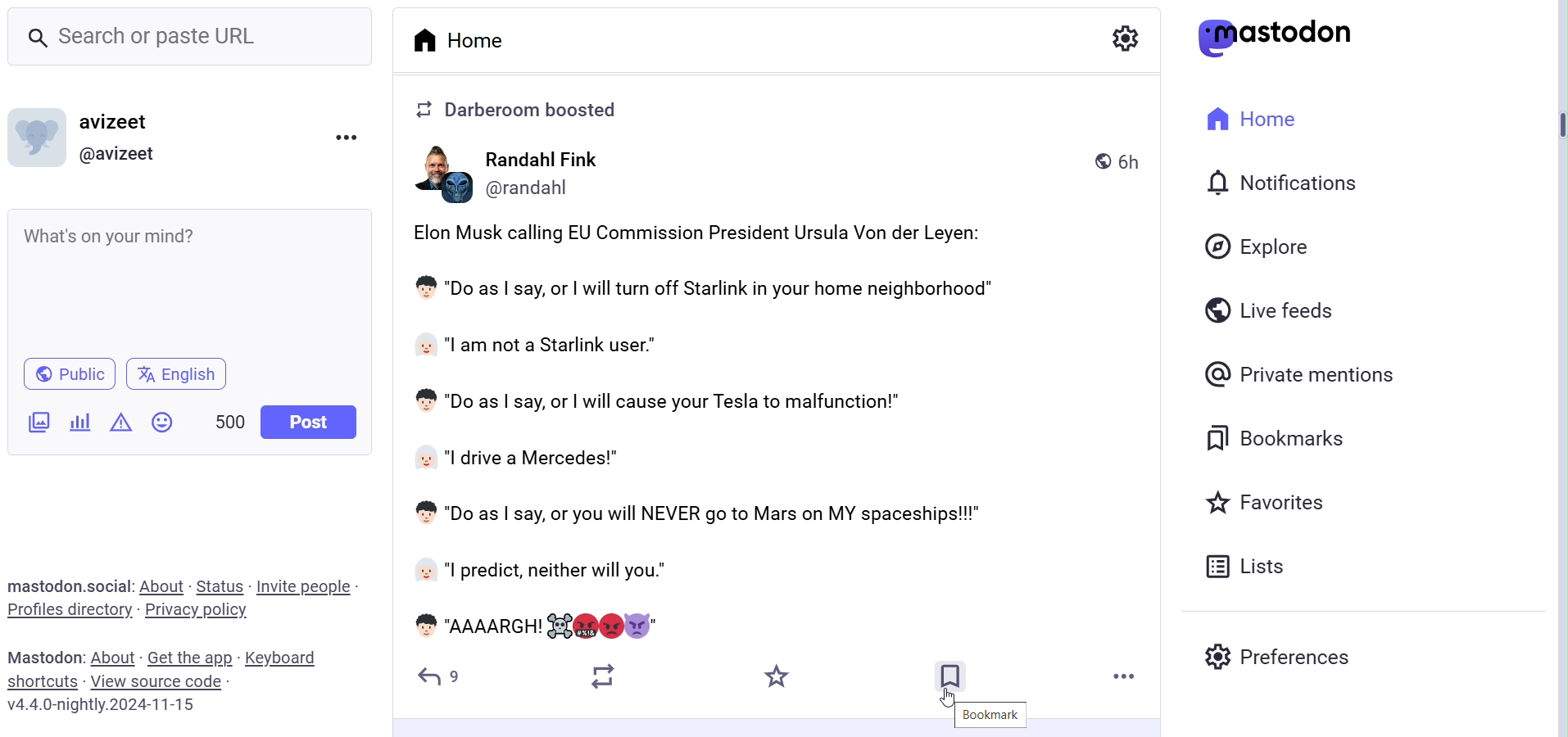 The image size is (1568, 737). What do you see at coordinates (1553, 384) in the screenshot?
I see `Vertical Scroll Bar` at bounding box center [1553, 384].